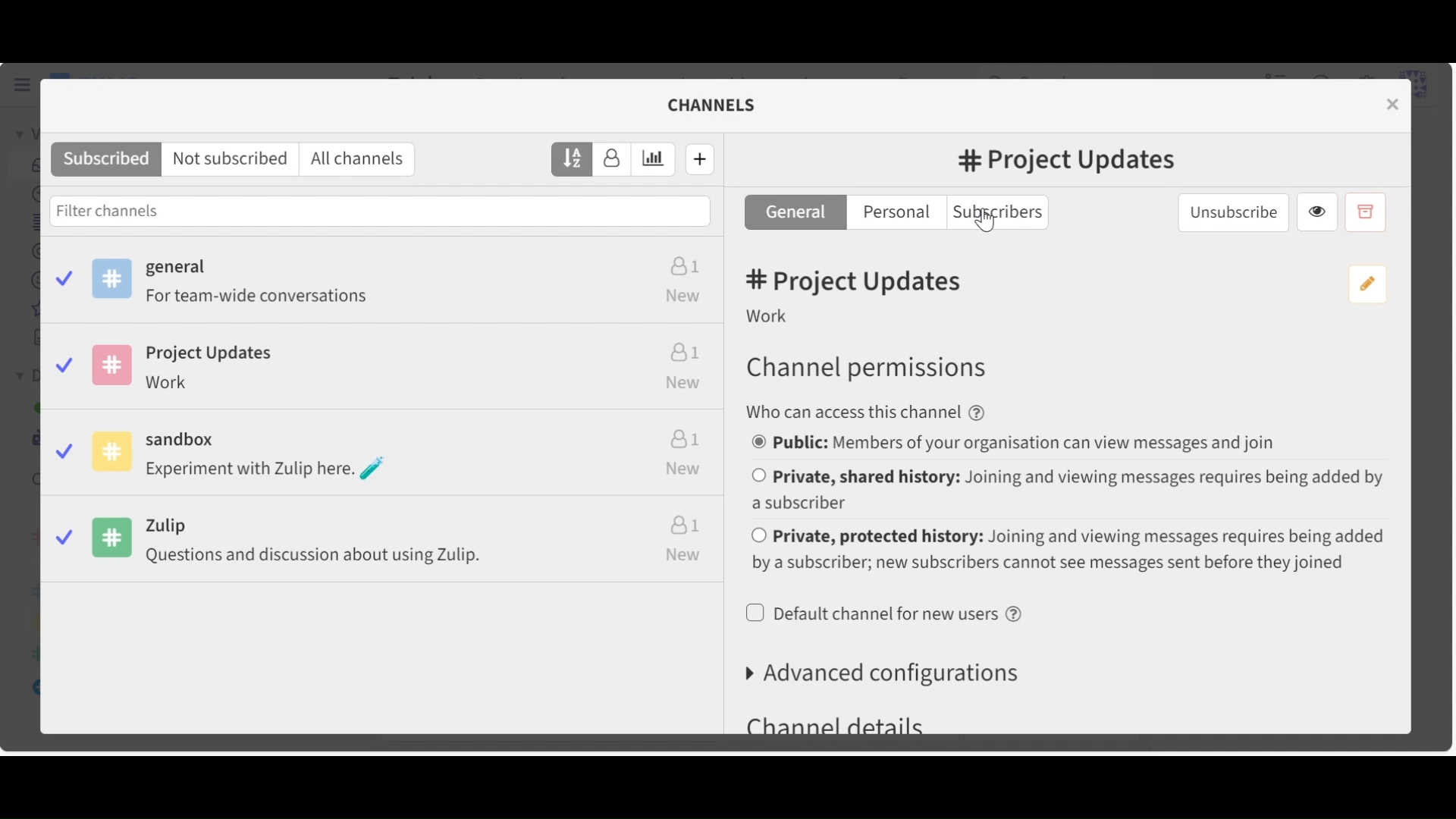  What do you see at coordinates (770, 315) in the screenshot?
I see `Description` at bounding box center [770, 315].